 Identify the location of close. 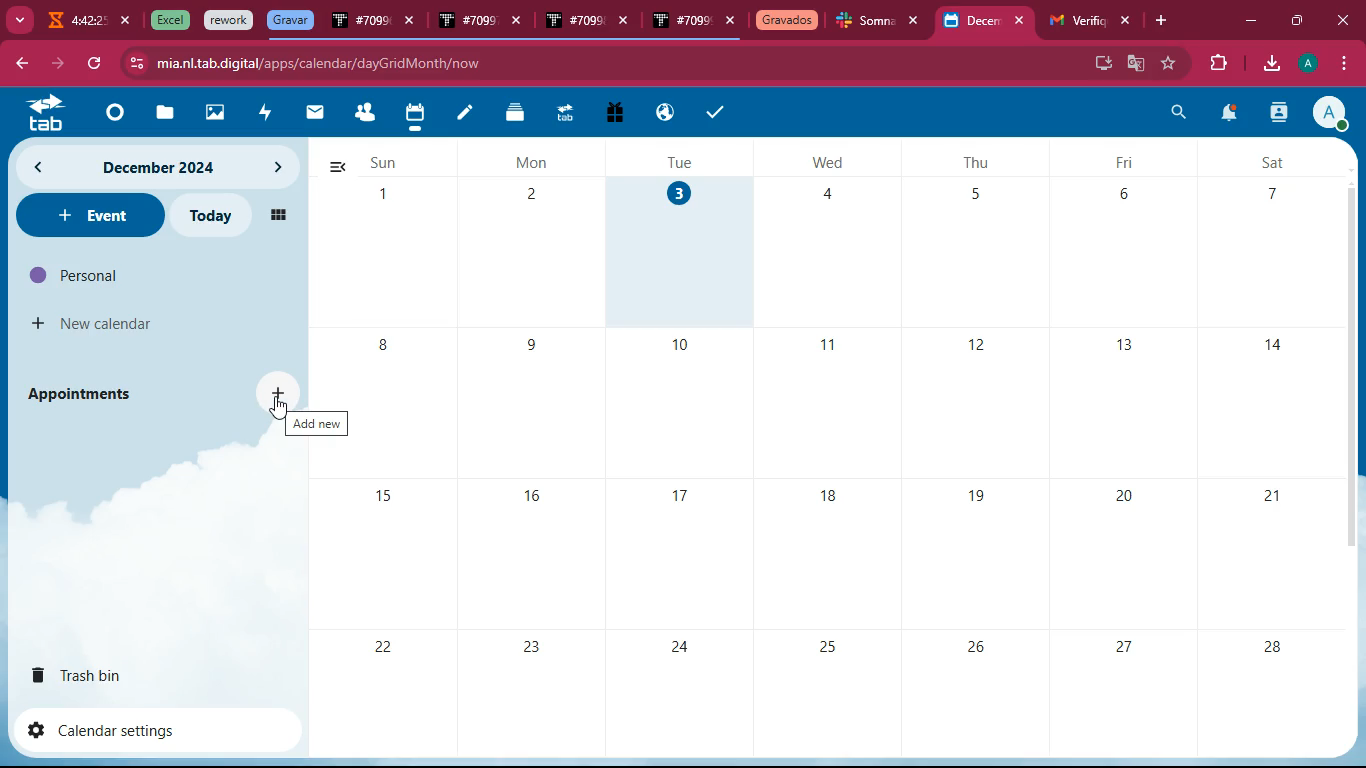
(127, 21).